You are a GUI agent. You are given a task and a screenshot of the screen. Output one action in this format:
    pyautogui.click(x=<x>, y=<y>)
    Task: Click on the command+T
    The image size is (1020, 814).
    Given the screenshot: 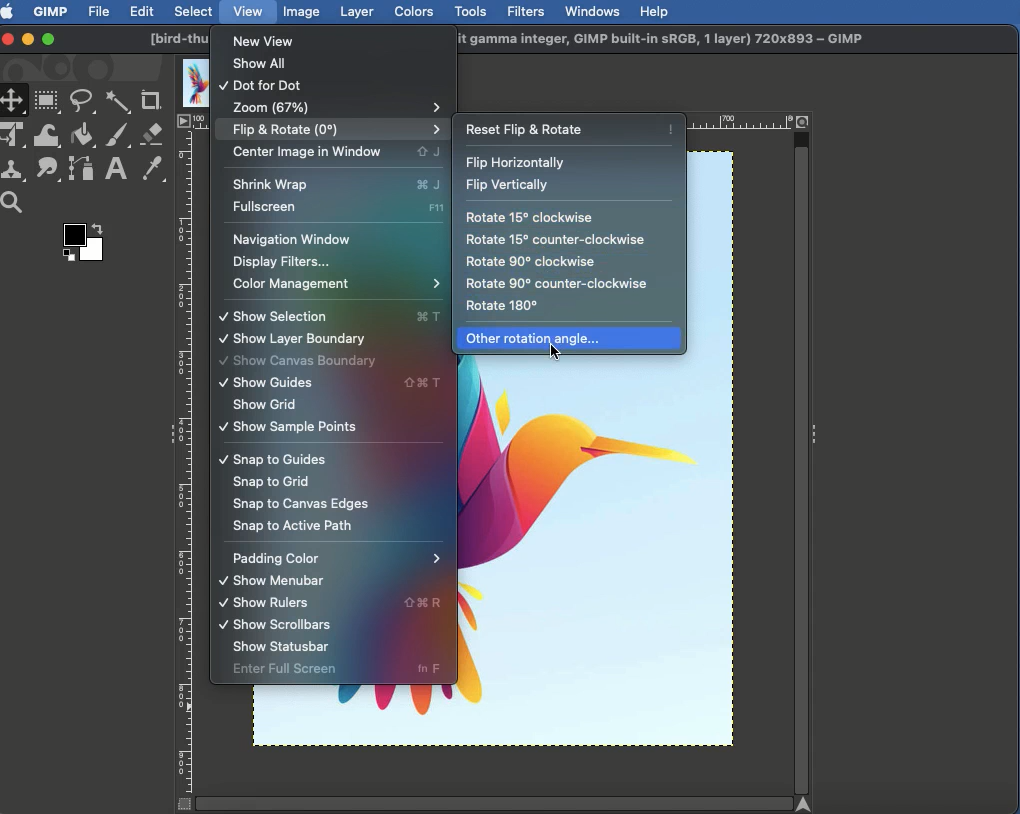 What is the action you would take?
    pyautogui.click(x=429, y=316)
    